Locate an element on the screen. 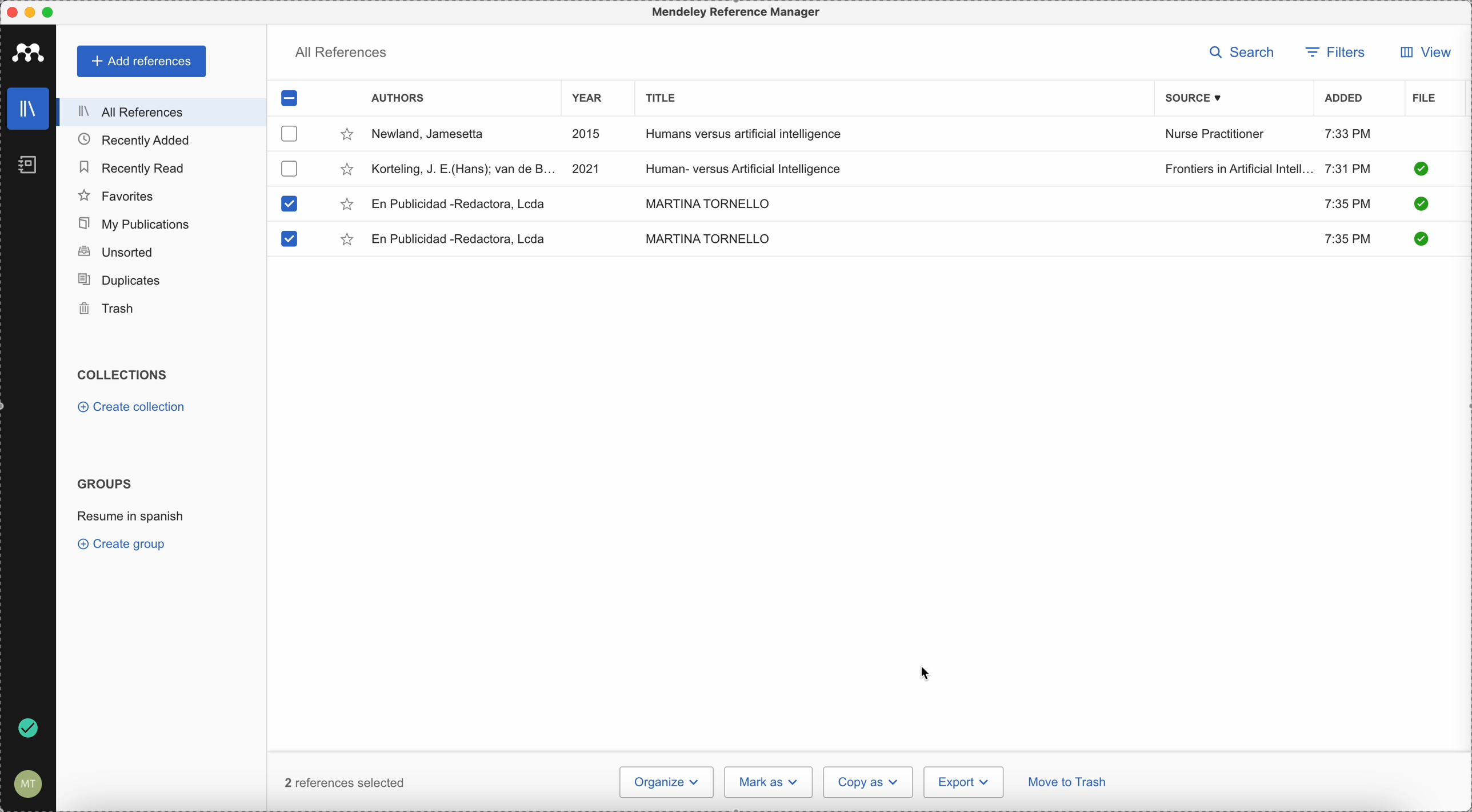 The width and height of the screenshot is (1472, 812). add references is located at coordinates (143, 62).